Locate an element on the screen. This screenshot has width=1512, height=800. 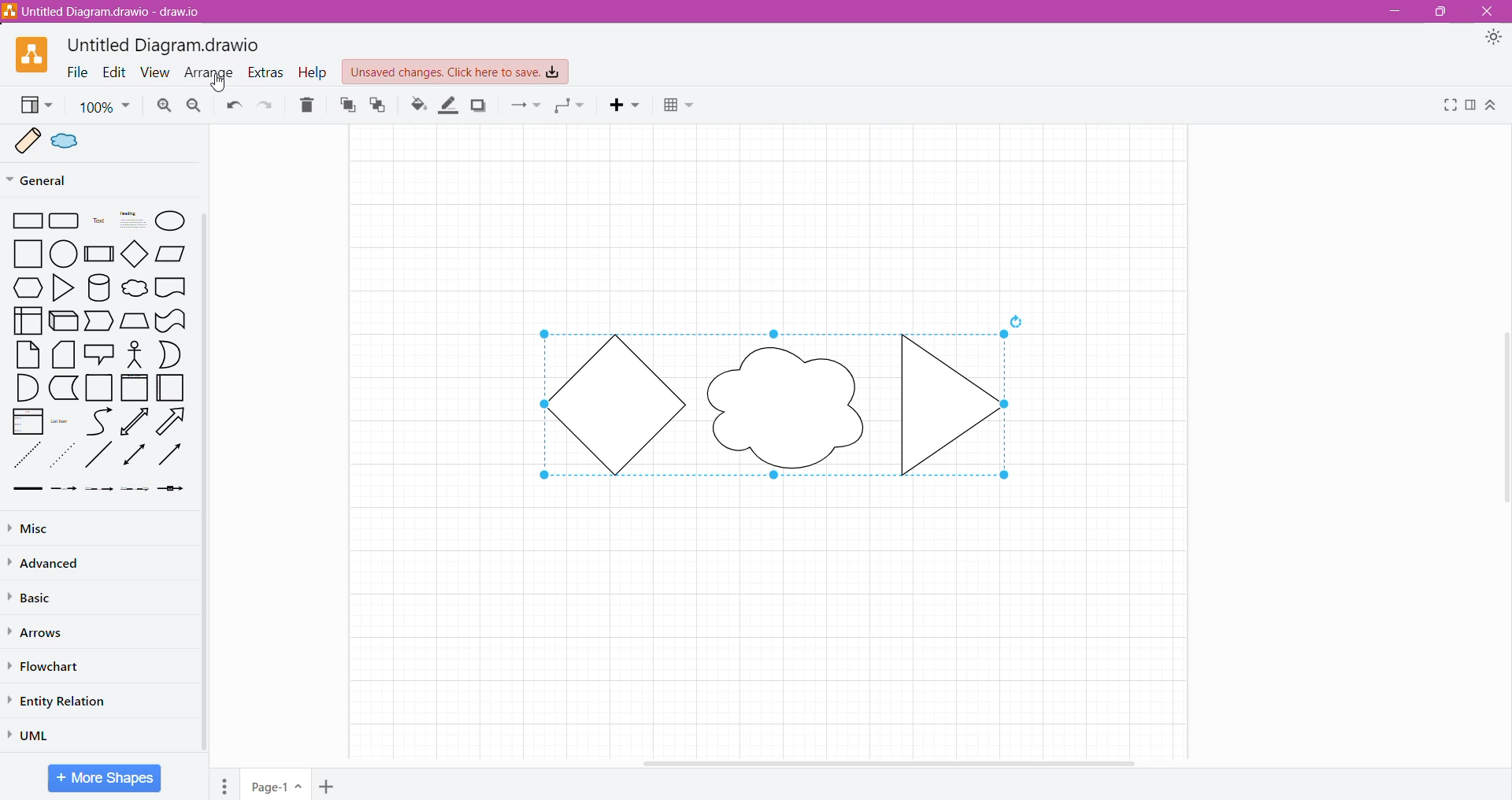
Help is located at coordinates (313, 72).